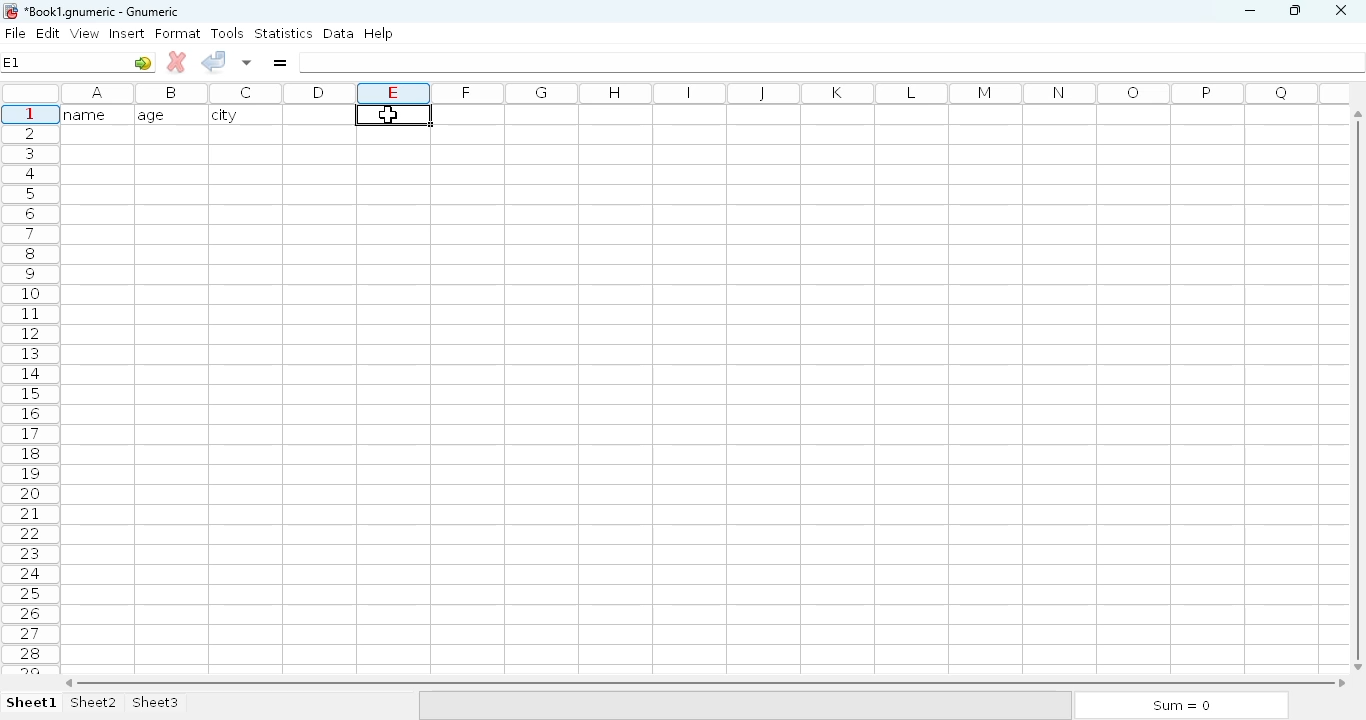 This screenshot has height=720, width=1366. Describe the element at coordinates (177, 62) in the screenshot. I see `cancel change` at that location.